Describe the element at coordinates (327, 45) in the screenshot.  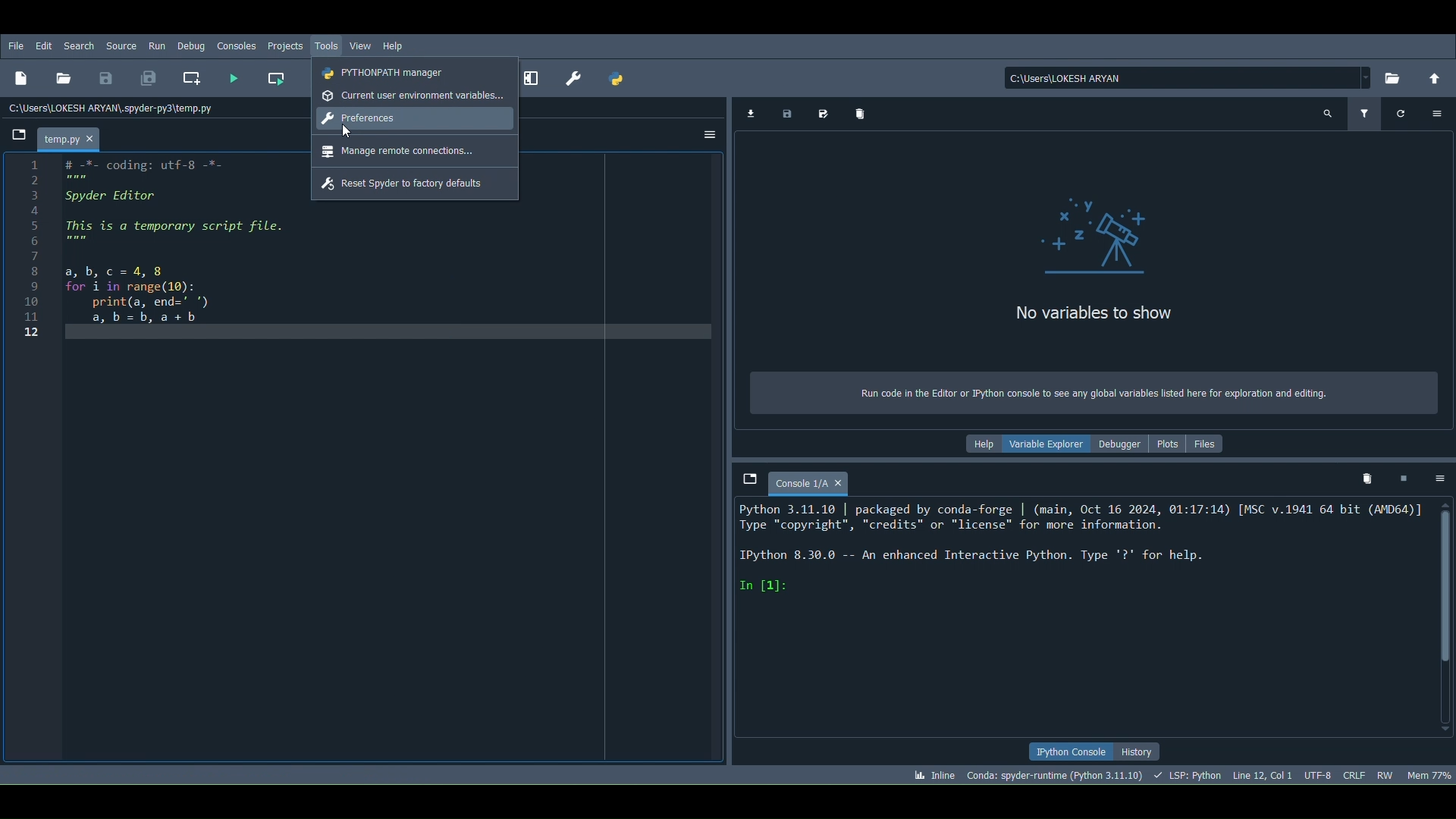
I see `Tools` at that location.